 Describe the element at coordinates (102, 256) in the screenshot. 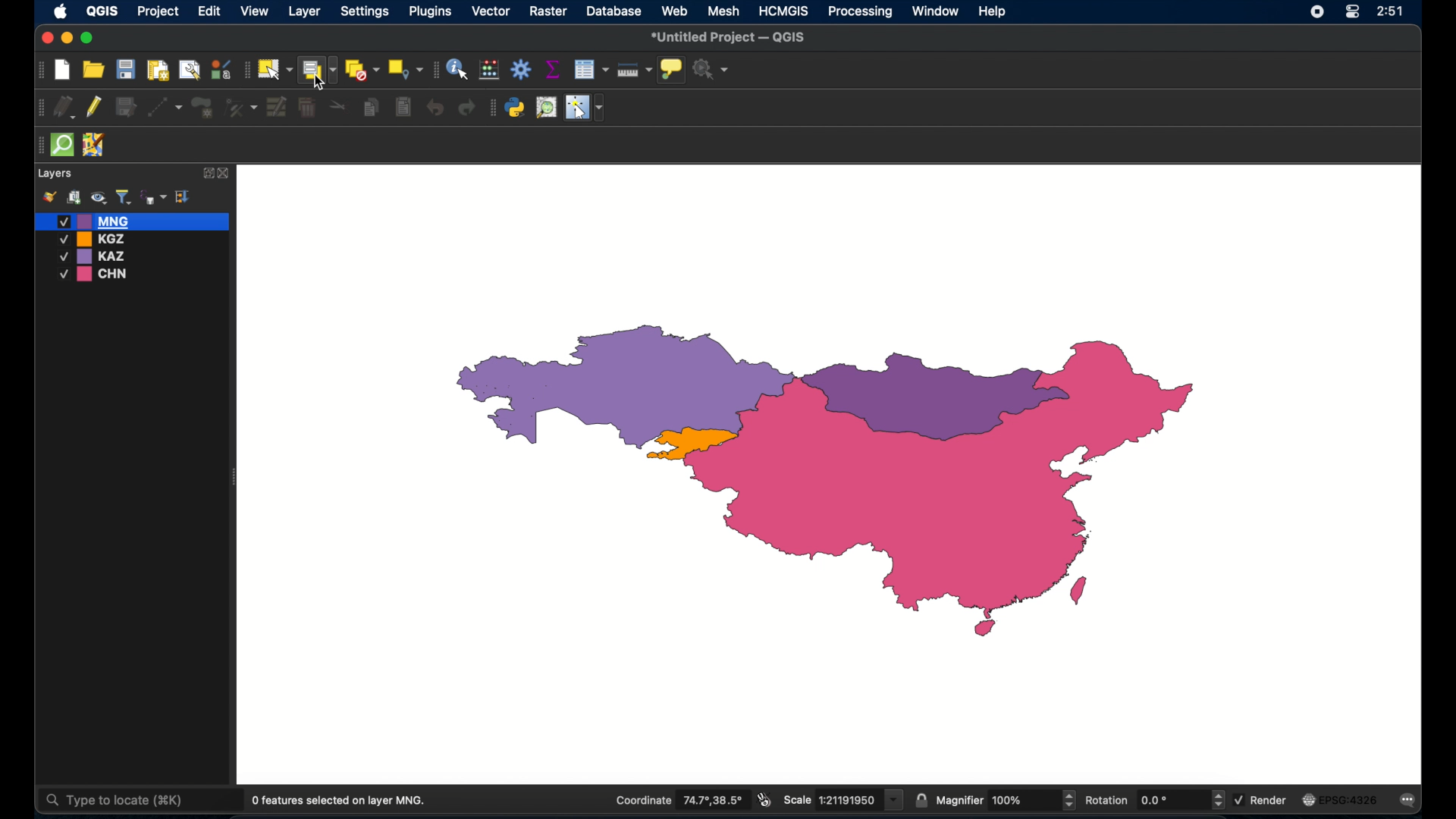

I see `KAZ` at that location.